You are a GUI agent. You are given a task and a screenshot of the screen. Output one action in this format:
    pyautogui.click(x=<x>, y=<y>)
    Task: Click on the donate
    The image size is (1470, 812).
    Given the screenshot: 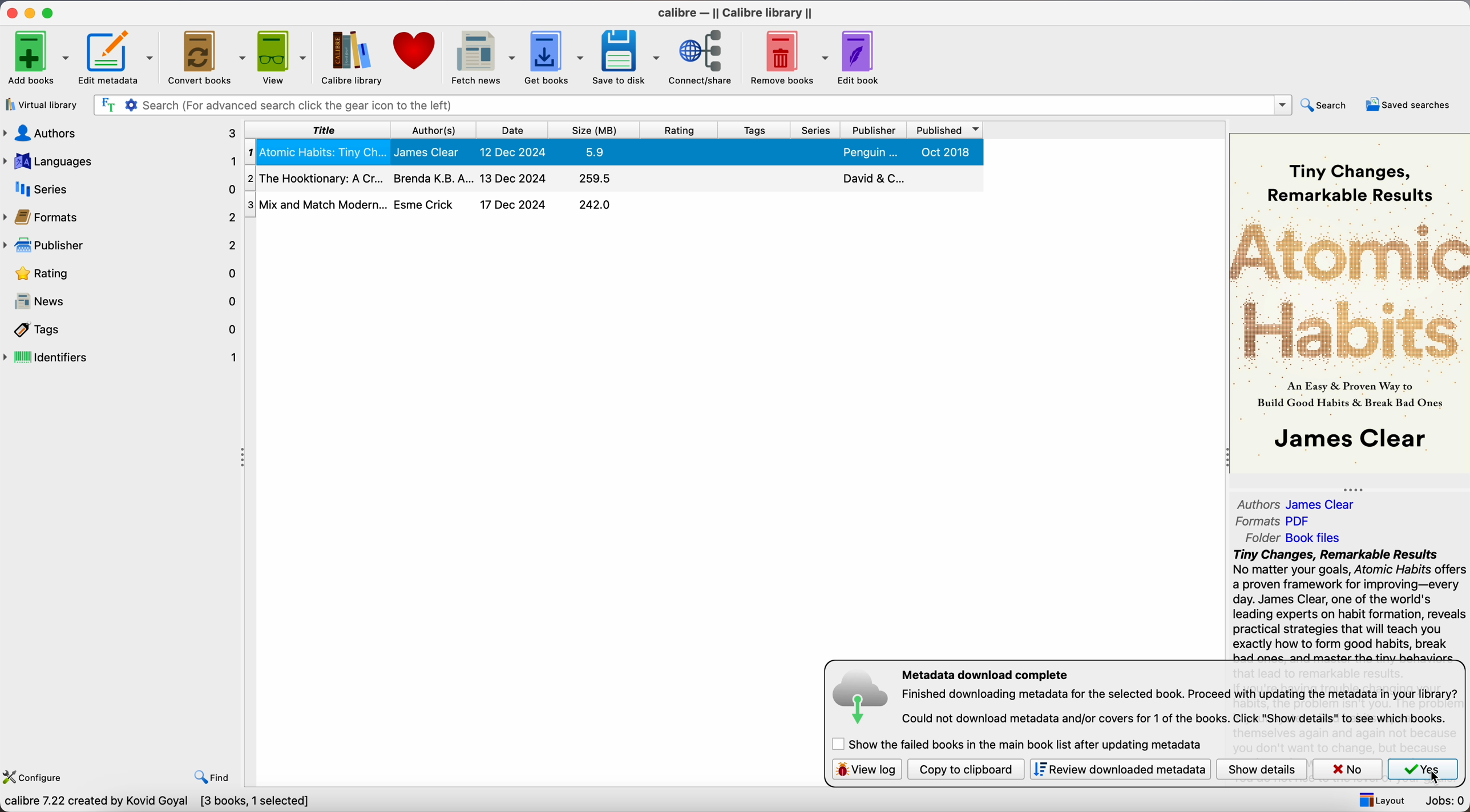 What is the action you would take?
    pyautogui.click(x=417, y=51)
    